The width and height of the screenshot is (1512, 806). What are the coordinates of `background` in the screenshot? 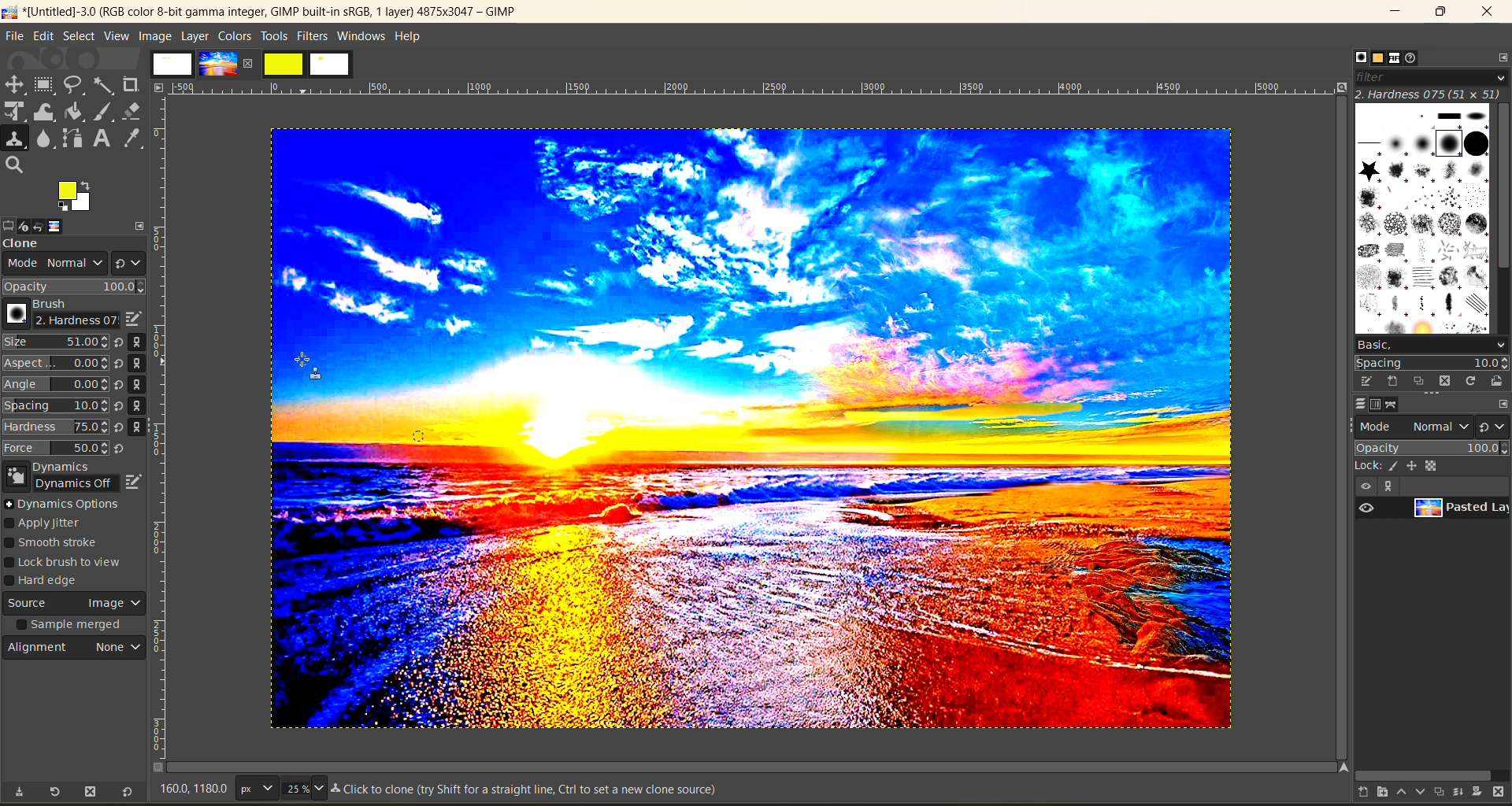 It's located at (1435, 465).